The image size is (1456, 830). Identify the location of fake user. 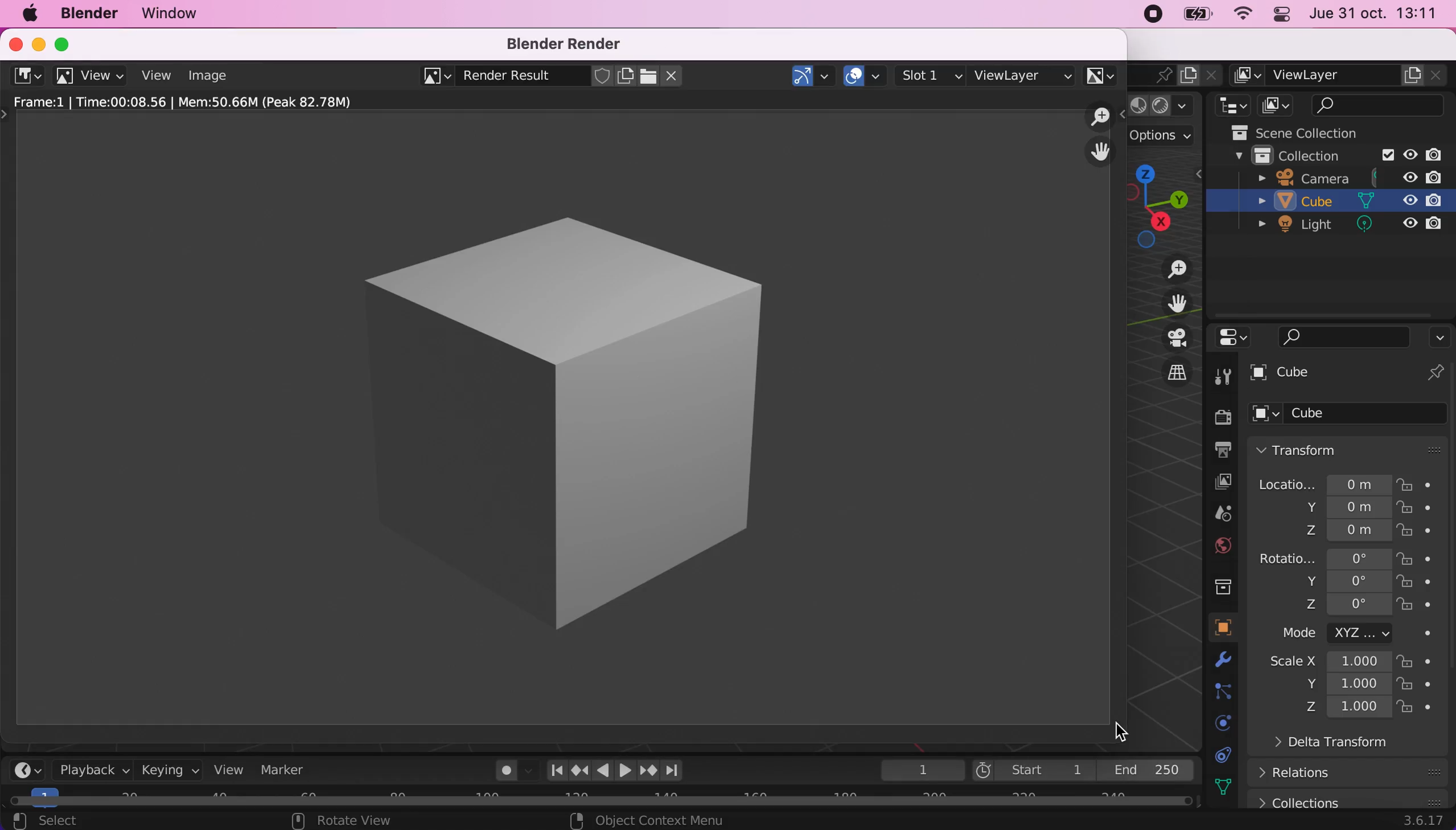
(602, 76).